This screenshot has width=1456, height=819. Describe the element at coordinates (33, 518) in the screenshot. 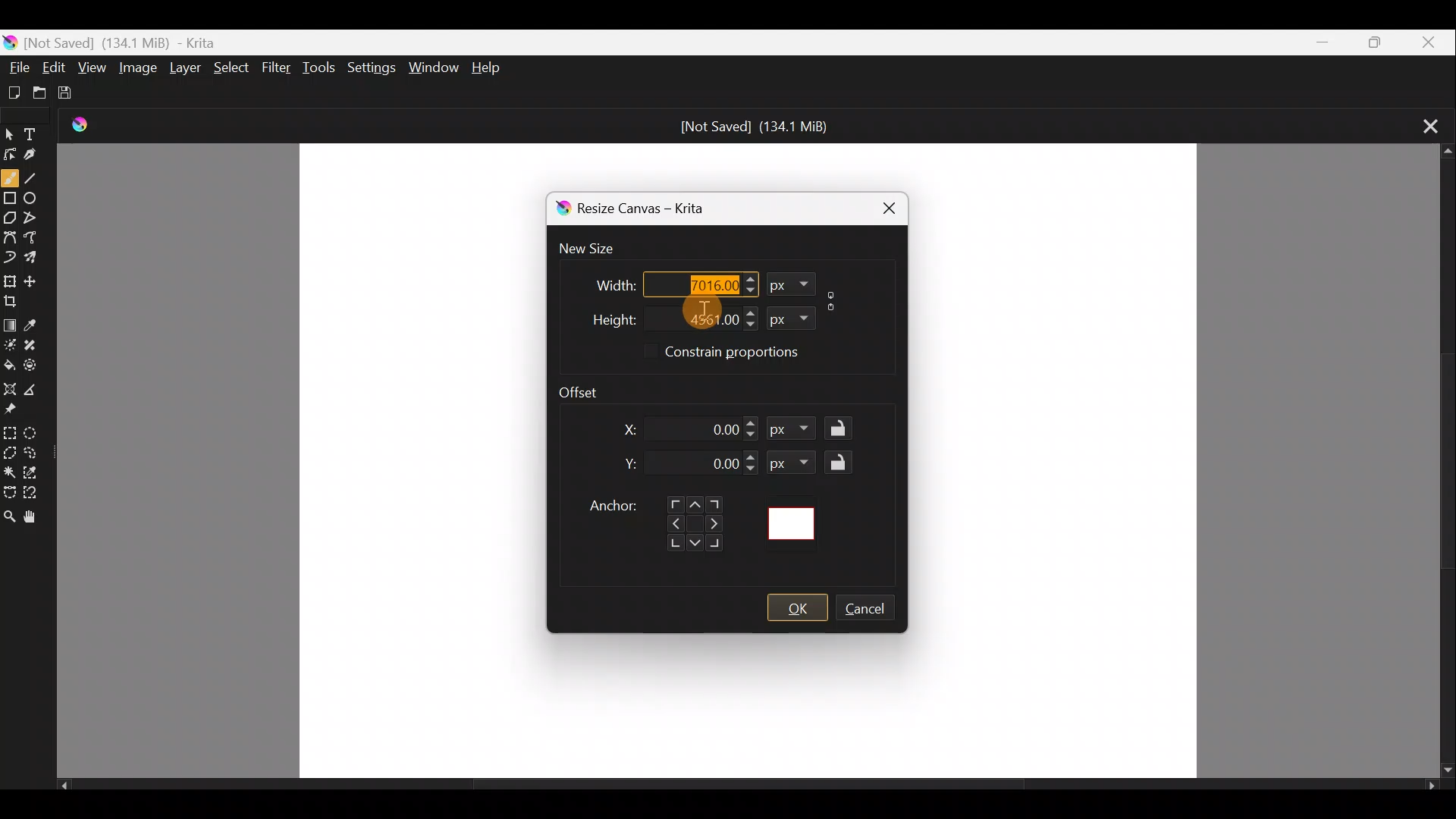

I see `Pan tool` at that location.